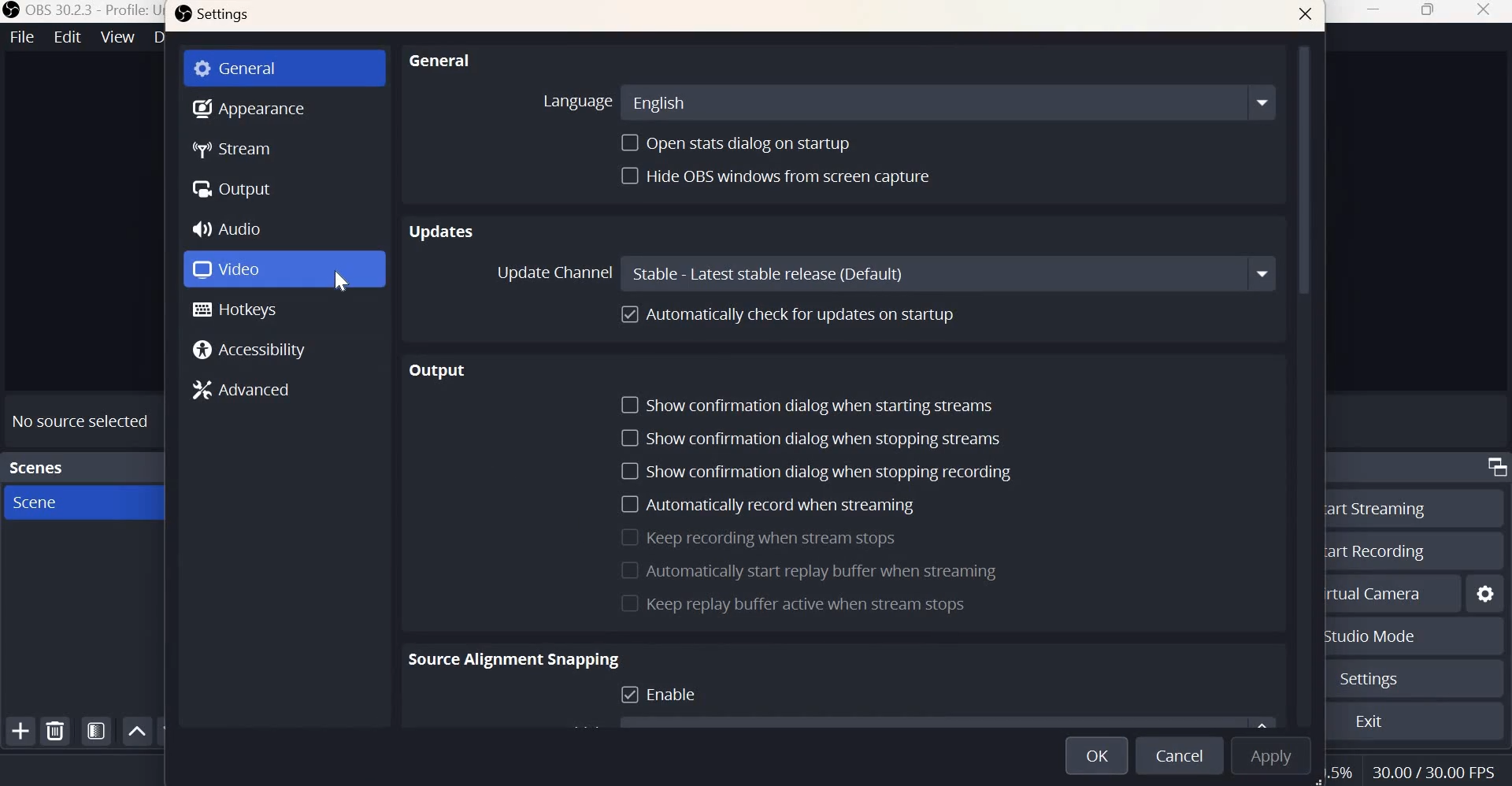  What do you see at coordinates (442, 372) in the screenshot?
I see `Output` at bounding box center [442, 372].